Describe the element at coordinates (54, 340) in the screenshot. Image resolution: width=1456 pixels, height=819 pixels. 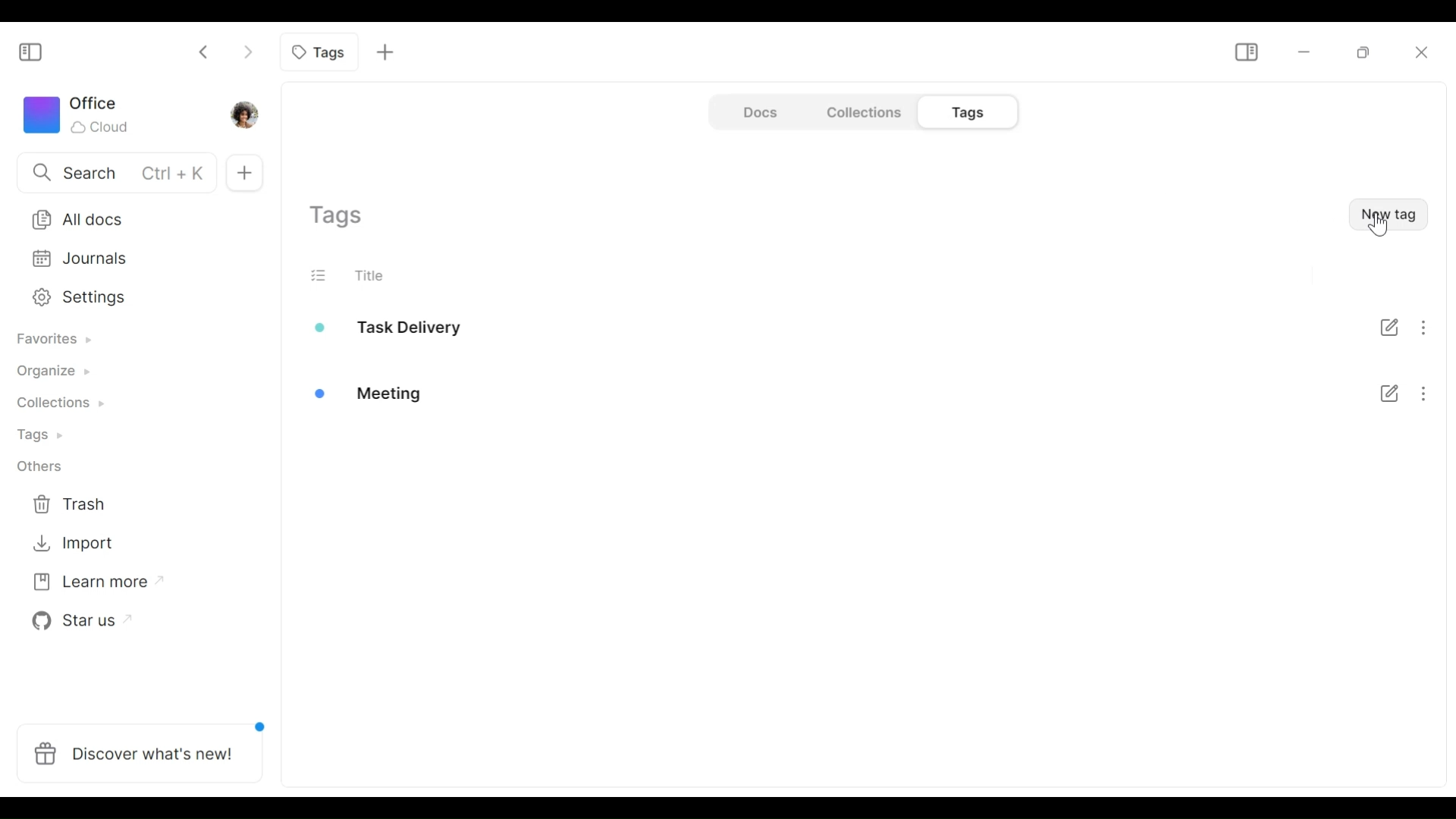
I see `Favorites` at that location.